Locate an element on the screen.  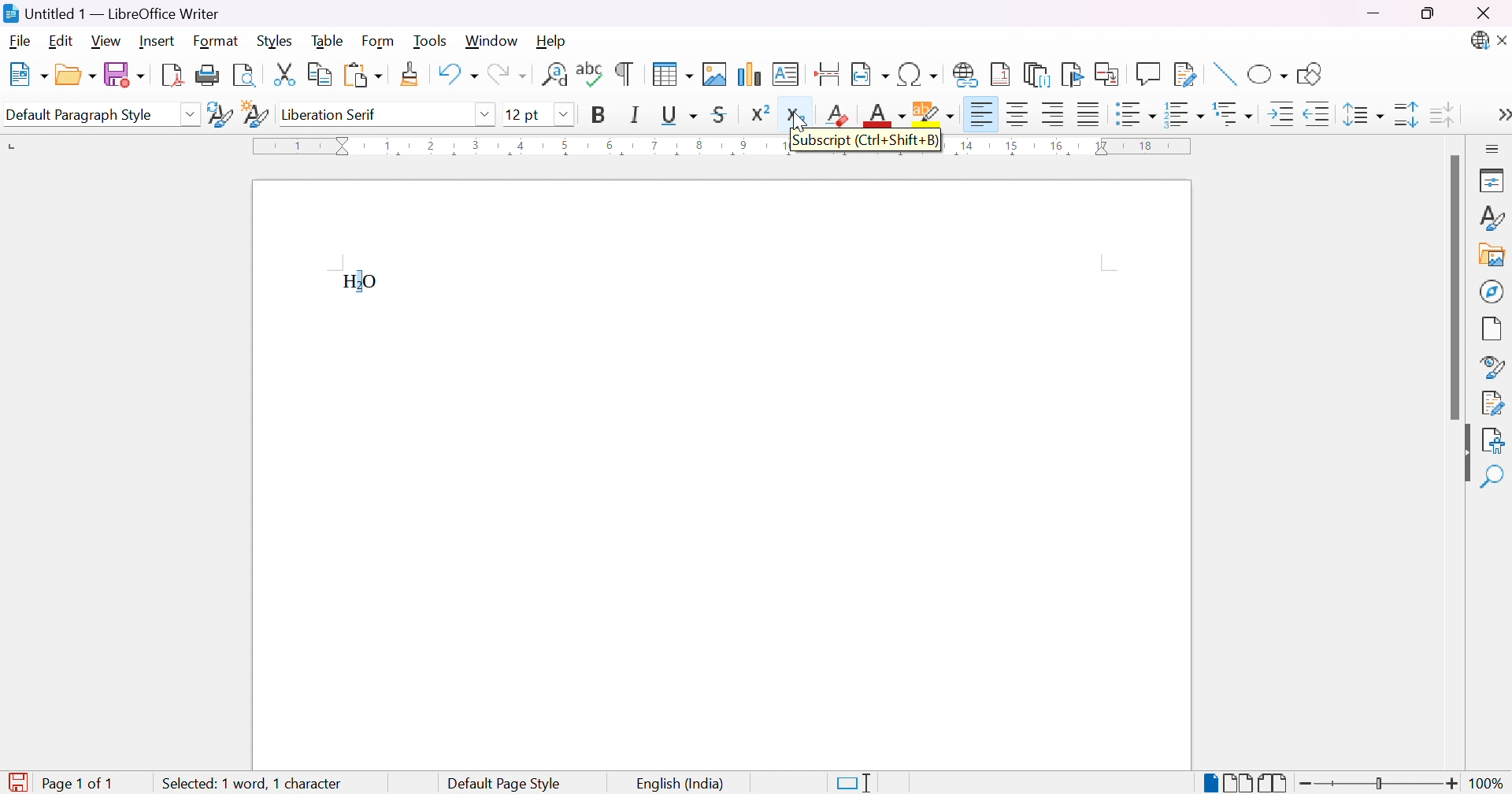
Page is located at coordinates (1493, 331).